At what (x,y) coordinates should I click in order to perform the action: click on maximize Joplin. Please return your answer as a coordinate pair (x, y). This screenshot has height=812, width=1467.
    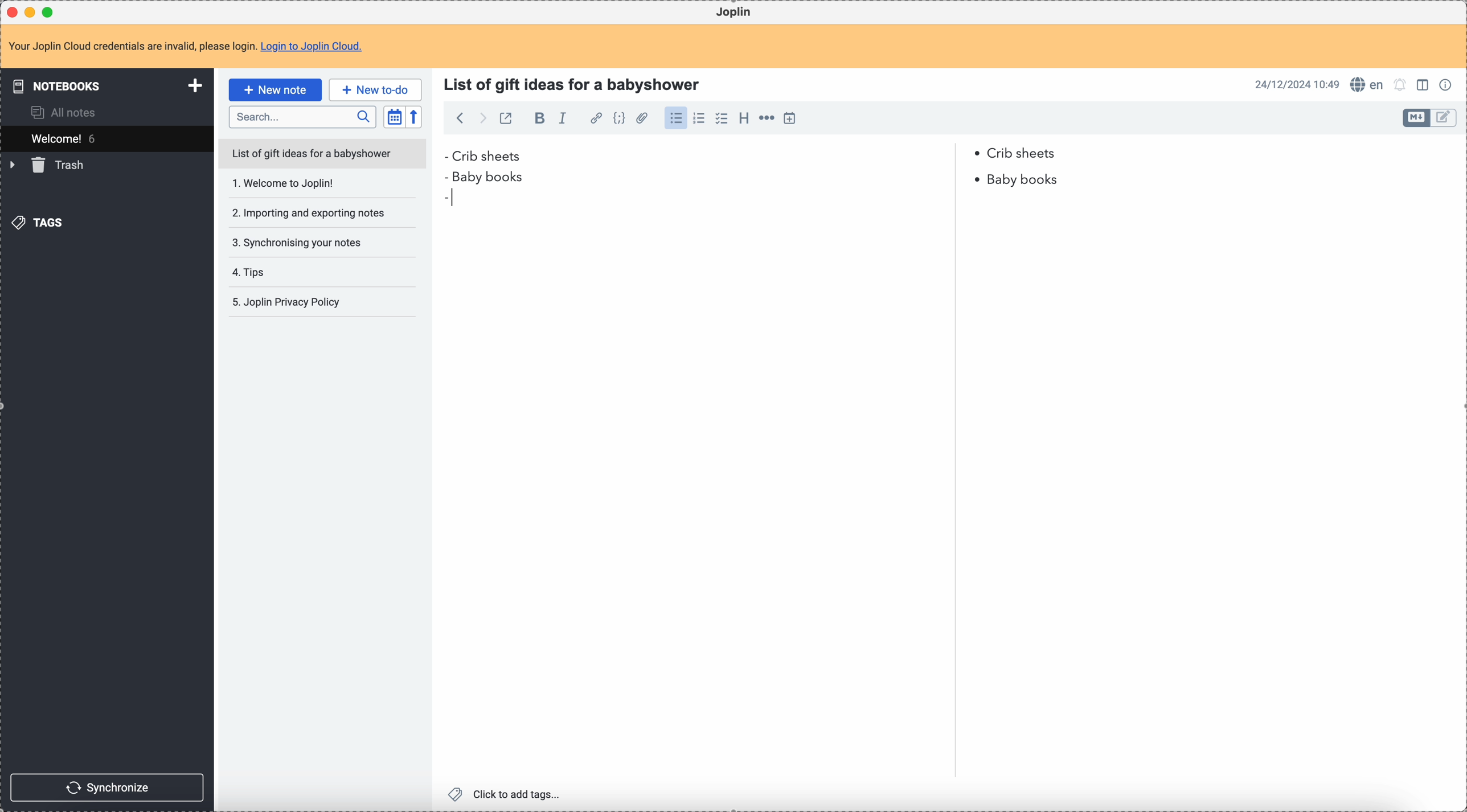
    Looking at the image, I should click on (51, 11).